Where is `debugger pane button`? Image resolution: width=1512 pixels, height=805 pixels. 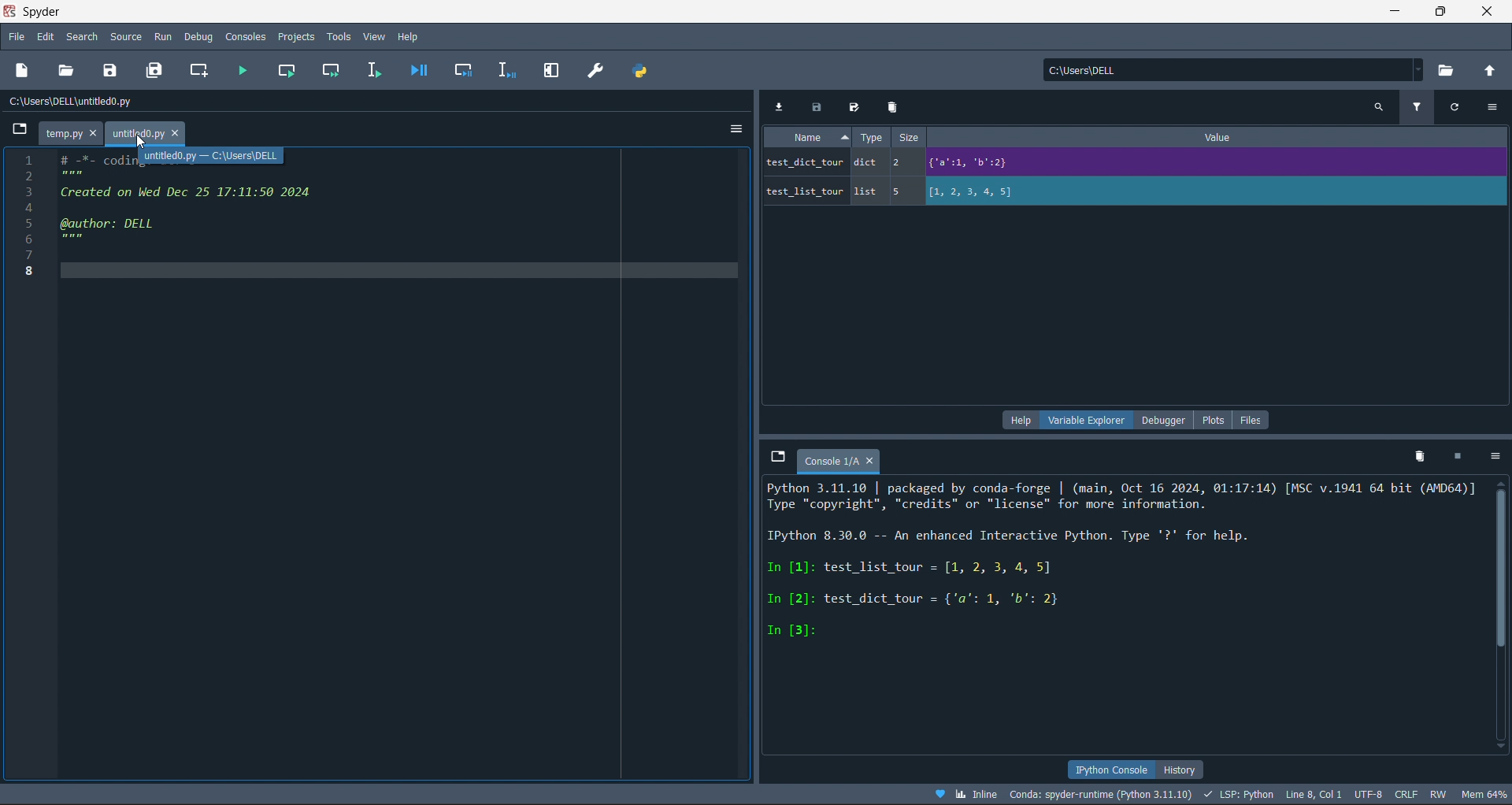
debugger pane button is located at coordinates (1159, 420).